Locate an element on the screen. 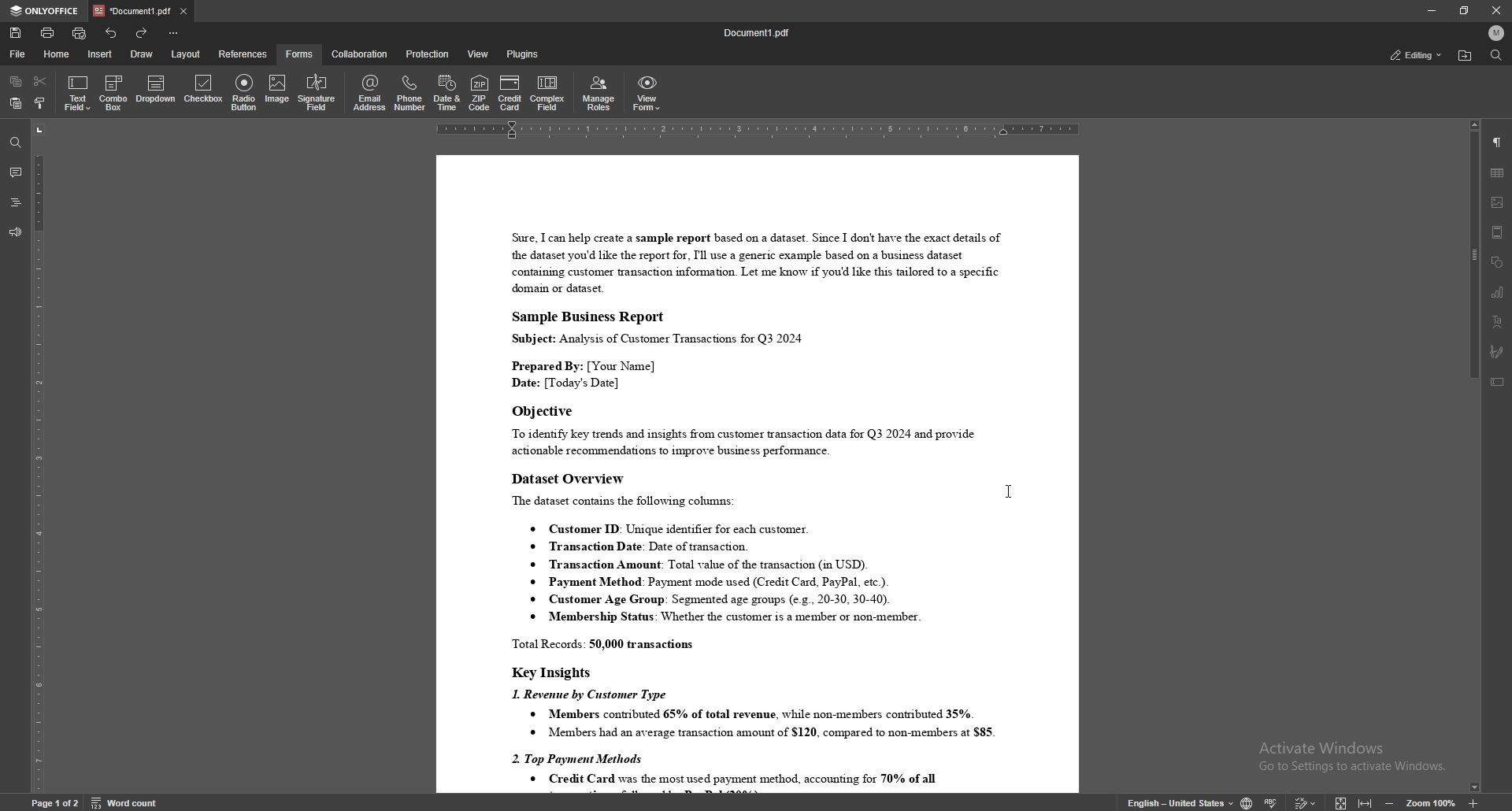  customize toolbar is located at coordinates (172, 32).